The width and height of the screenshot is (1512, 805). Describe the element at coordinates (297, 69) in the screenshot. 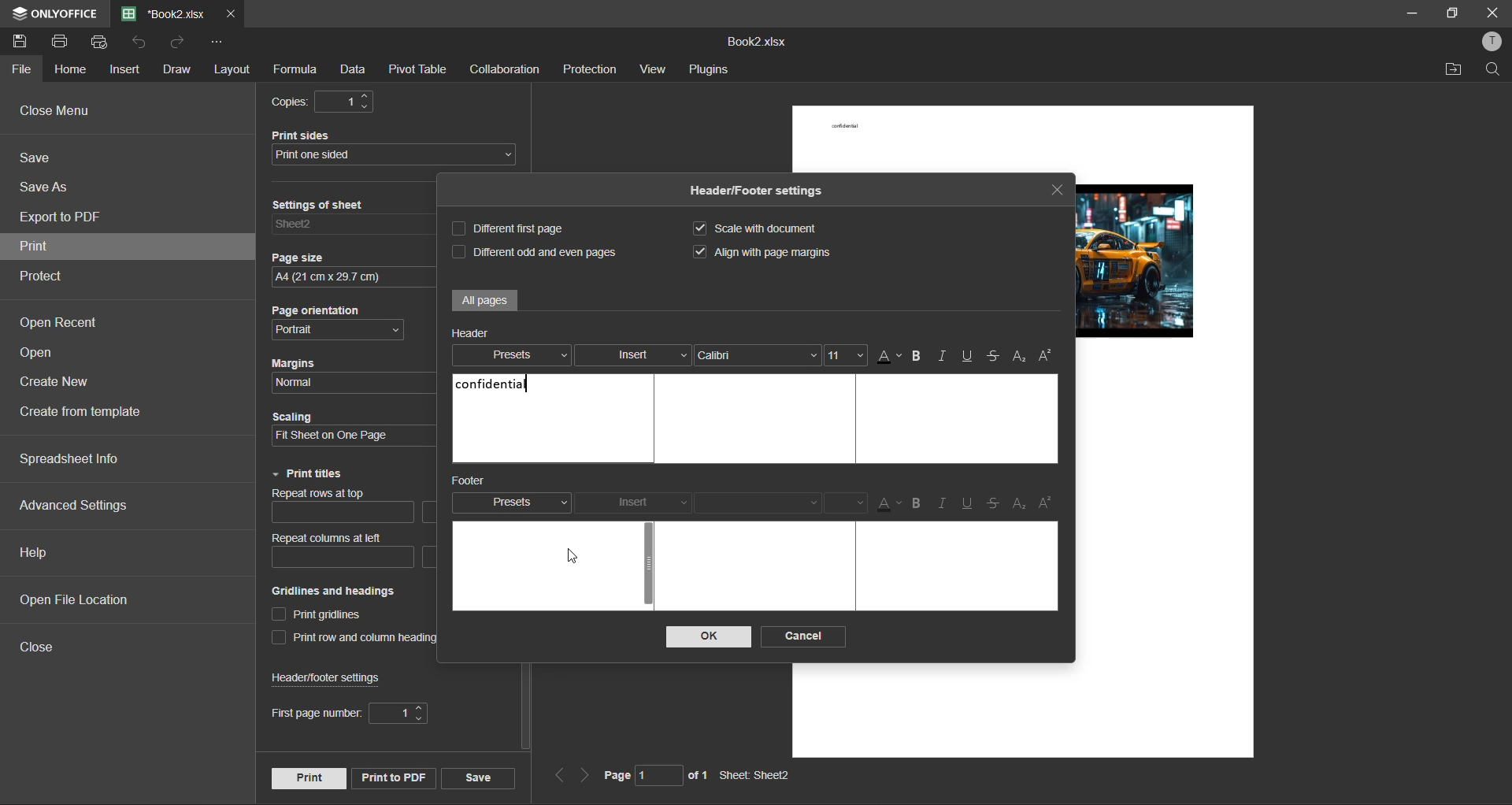

I see `formula` at that location.